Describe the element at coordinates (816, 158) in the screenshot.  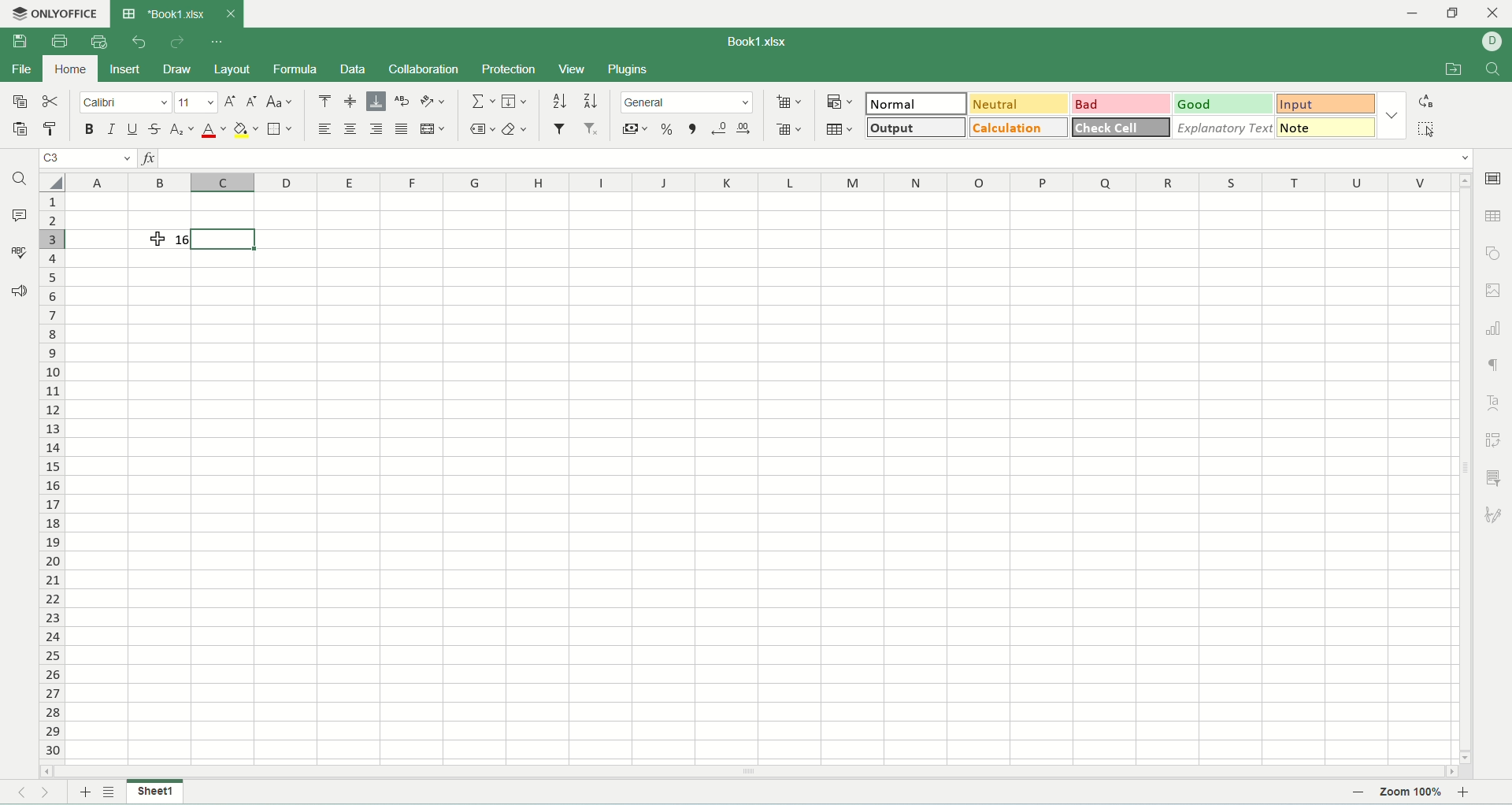
I see `input line` at that location.